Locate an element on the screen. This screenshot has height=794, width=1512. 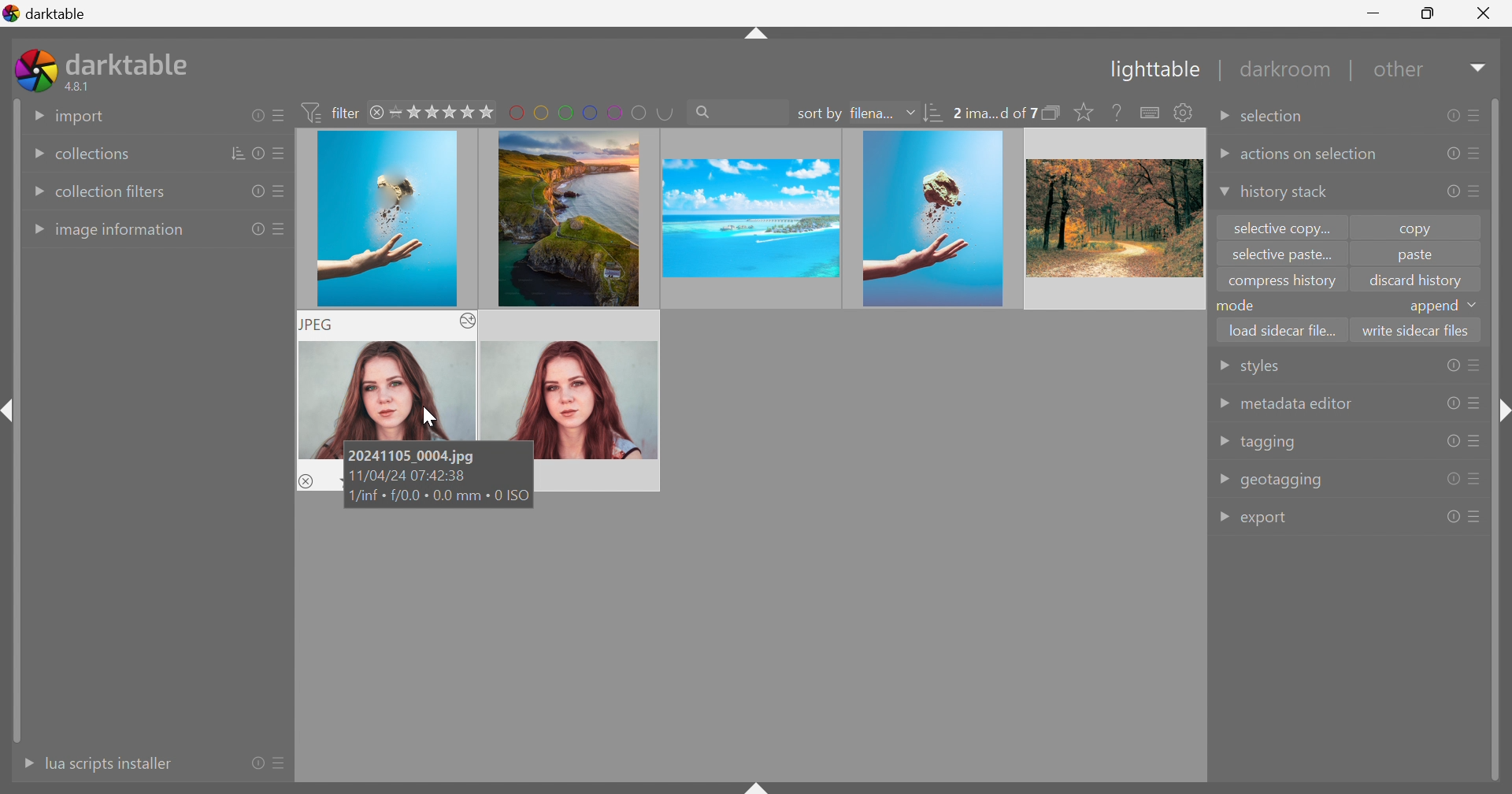
image is located at coordinates (571, 384).